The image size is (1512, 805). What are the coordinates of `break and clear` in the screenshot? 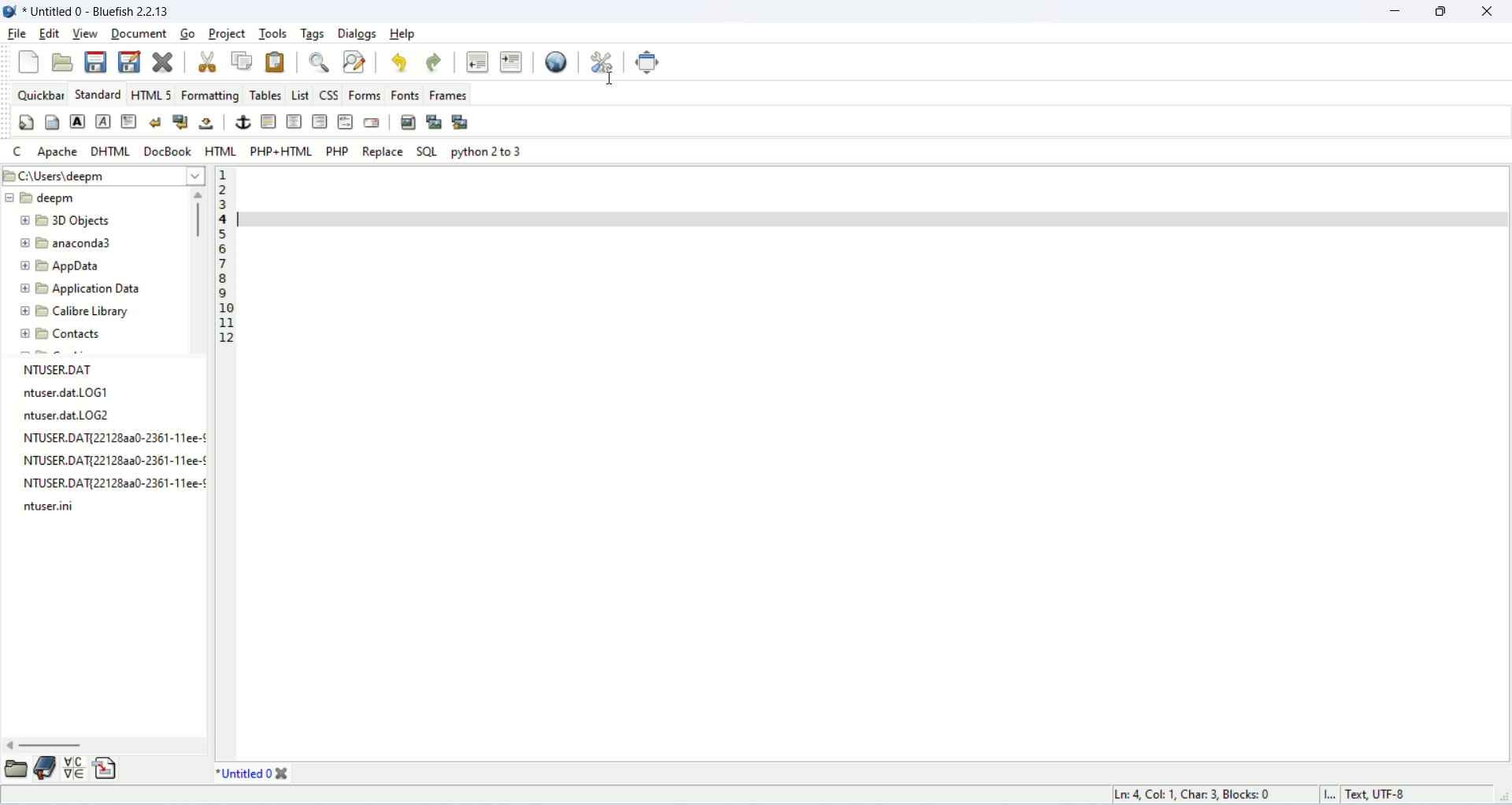 It's located at (180, 123).